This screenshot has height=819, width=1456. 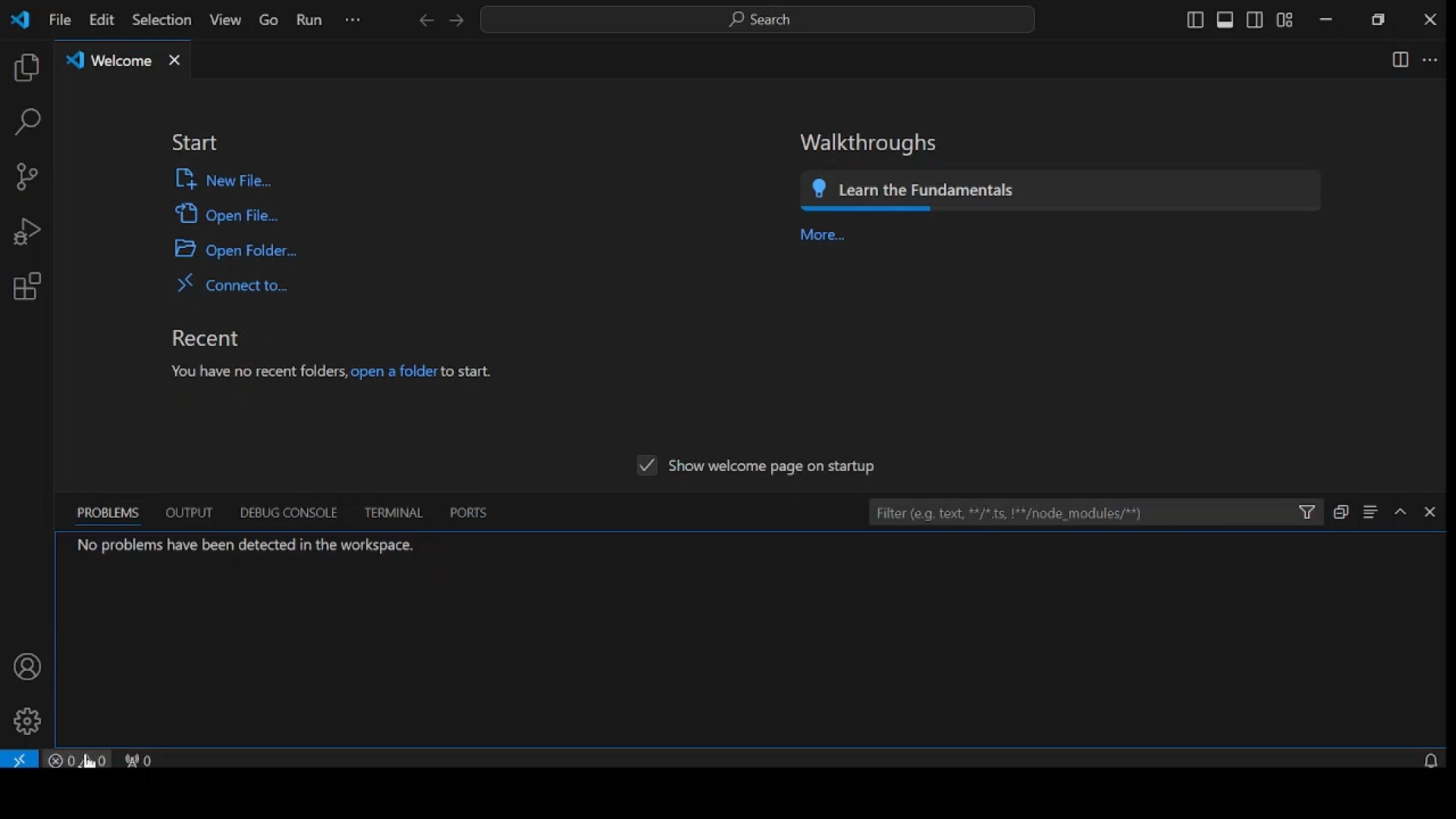 I want to click on open remote window, so click(x=23, y=763).